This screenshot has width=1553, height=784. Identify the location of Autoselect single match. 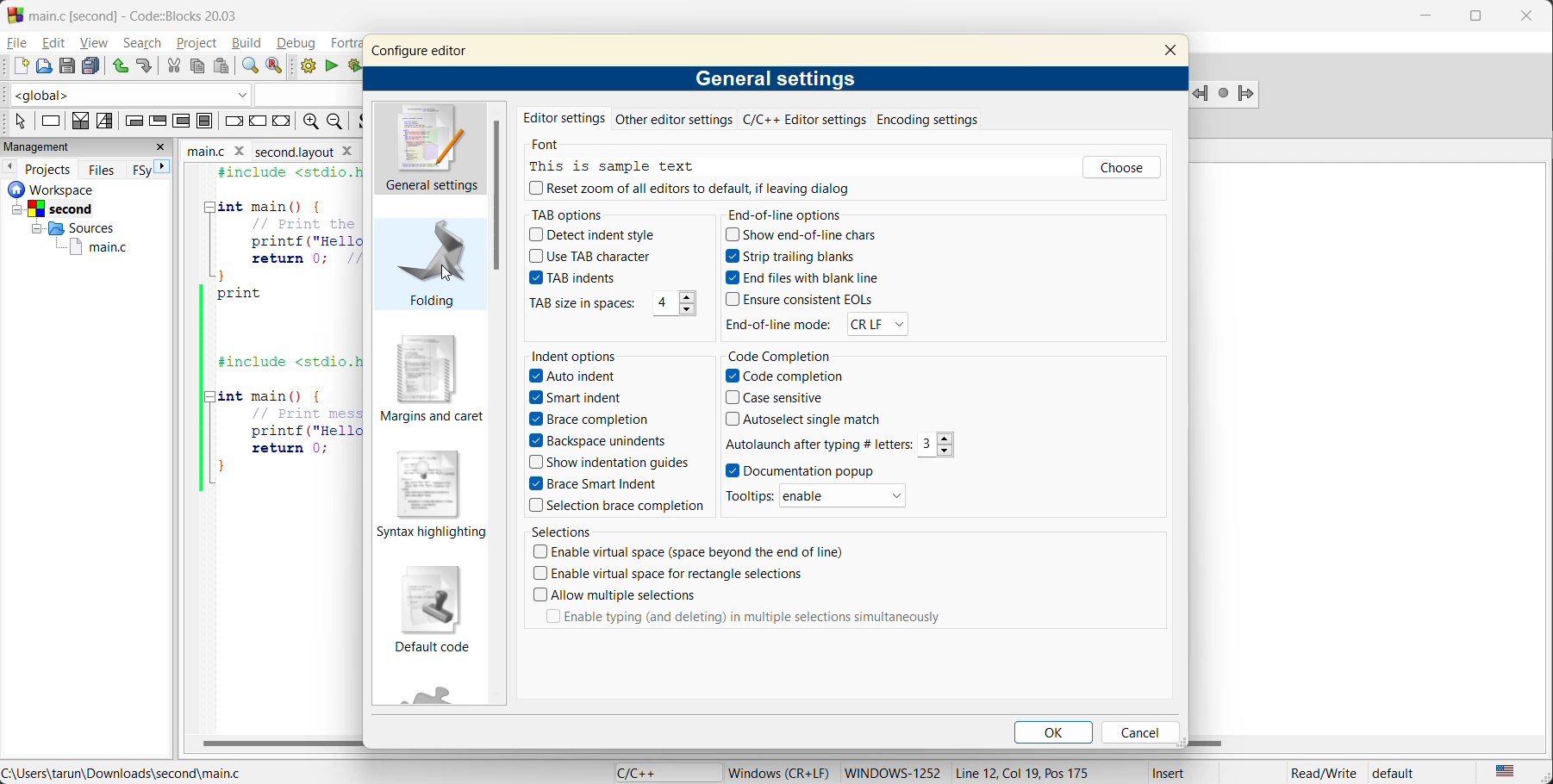
(803, 418).